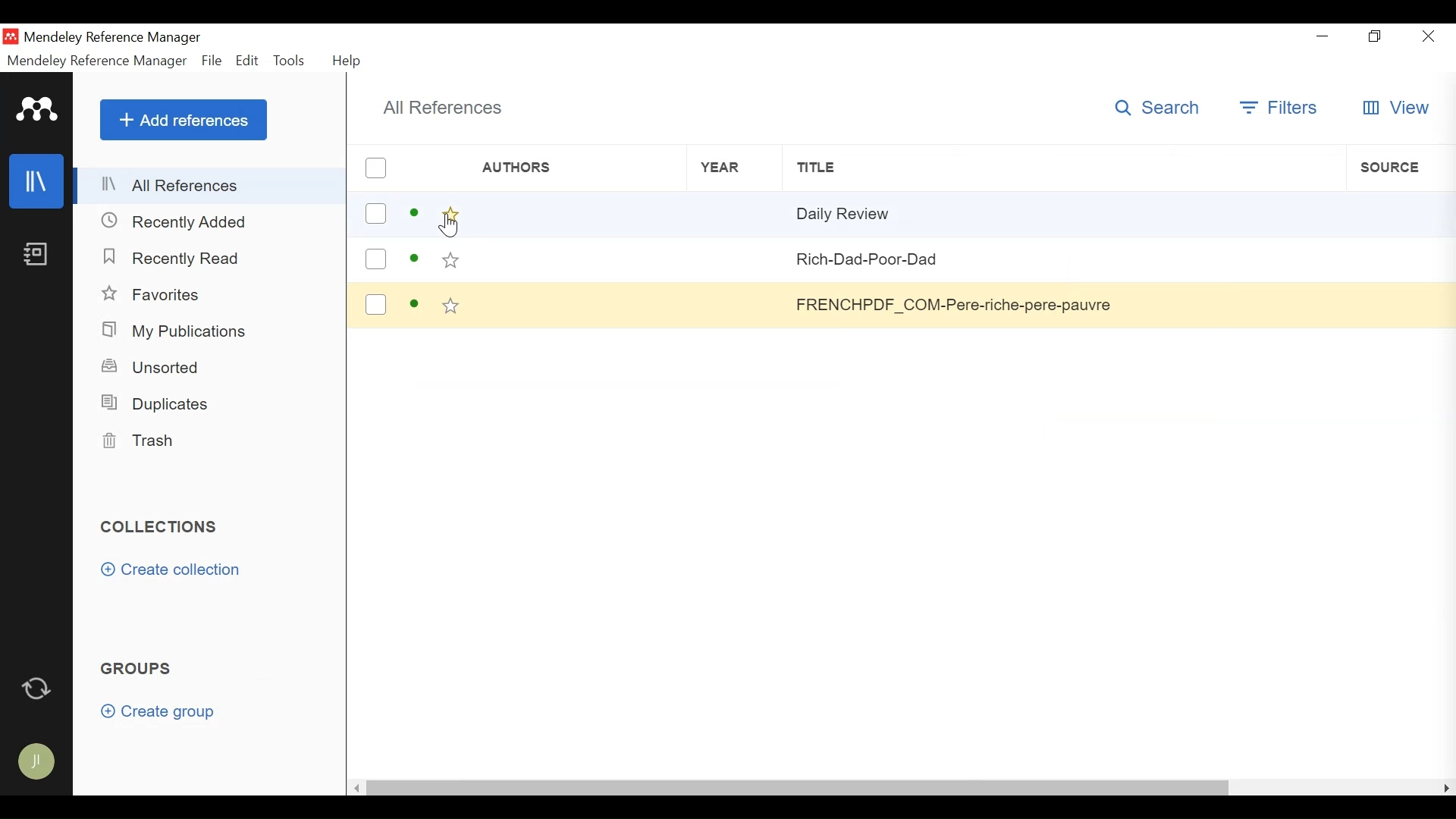 Image resolution: width=1456 pixels, height=819 pixels. What do you see at coordinates (377, 212) in the screenshot?
I see `(un)select` at bounding box center [377, 212].